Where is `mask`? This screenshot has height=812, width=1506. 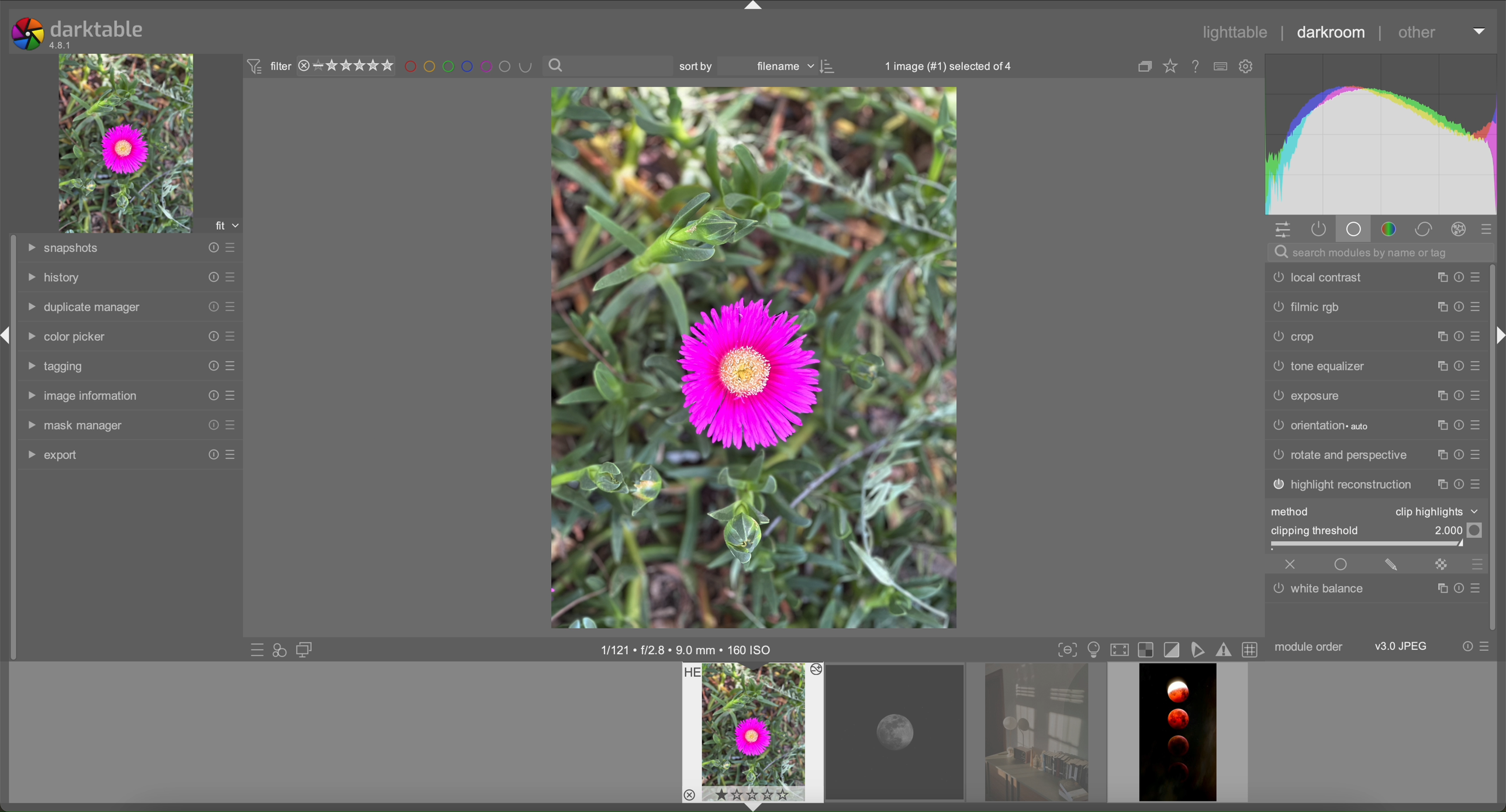 mask is located at coordinates (1441, 564).